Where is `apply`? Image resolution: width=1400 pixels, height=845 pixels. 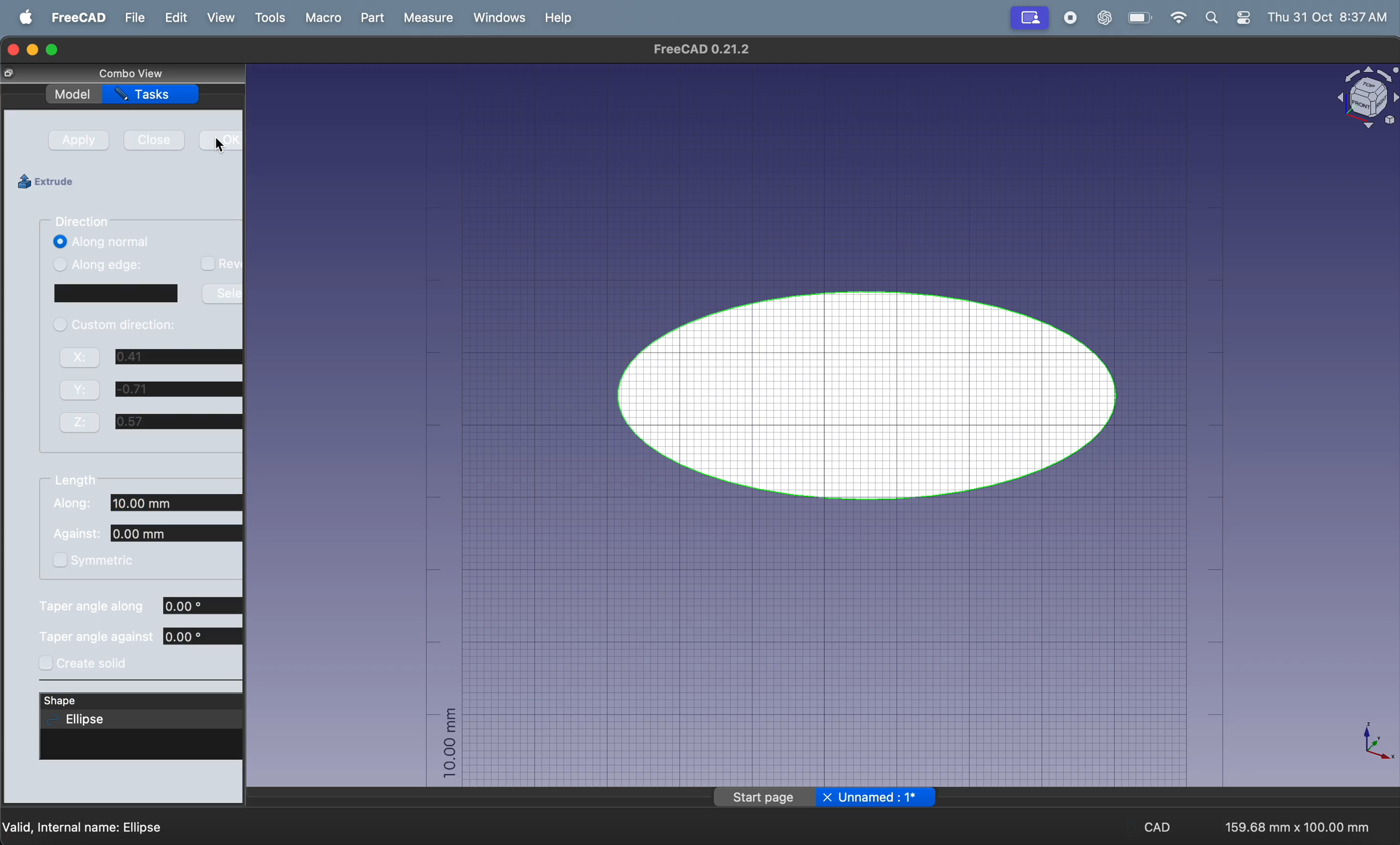
apply is located at coordinates (79, 142).